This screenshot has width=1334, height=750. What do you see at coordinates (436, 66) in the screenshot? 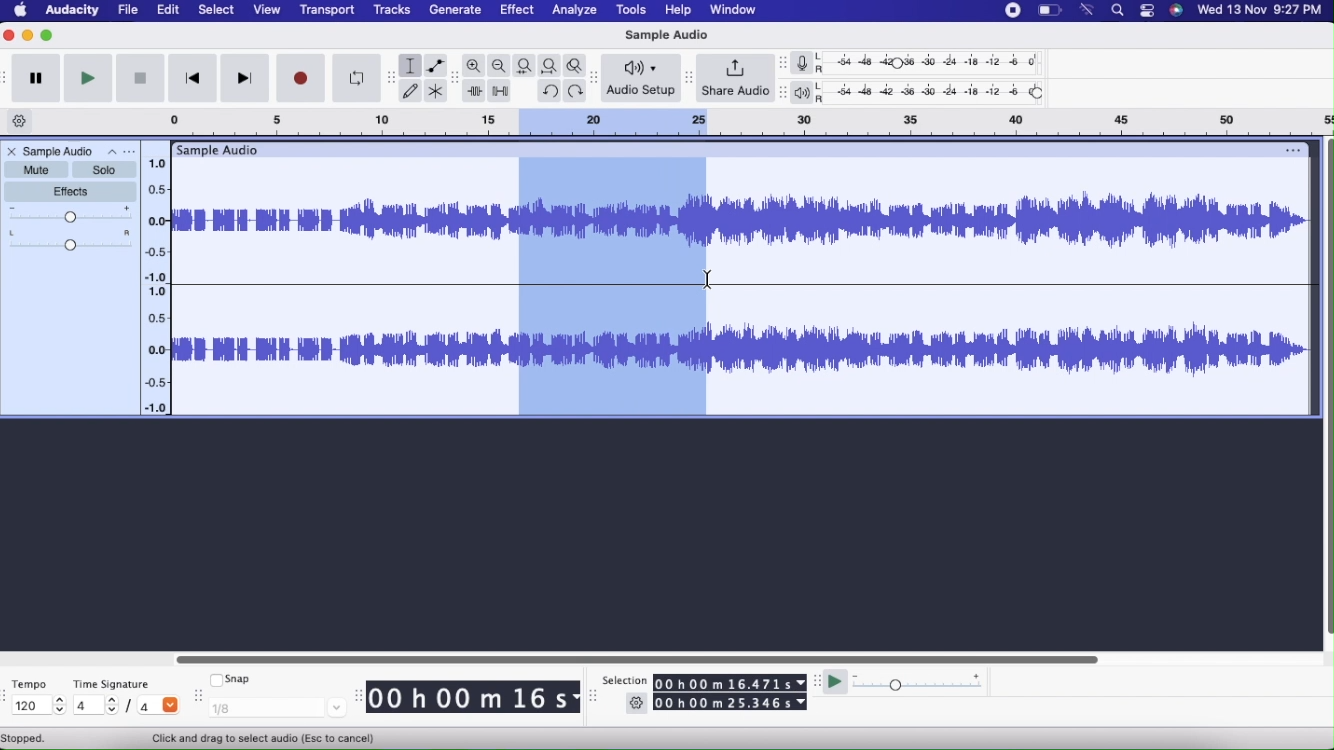
I see `Envelope Tool` at bounding box center [436, 66].